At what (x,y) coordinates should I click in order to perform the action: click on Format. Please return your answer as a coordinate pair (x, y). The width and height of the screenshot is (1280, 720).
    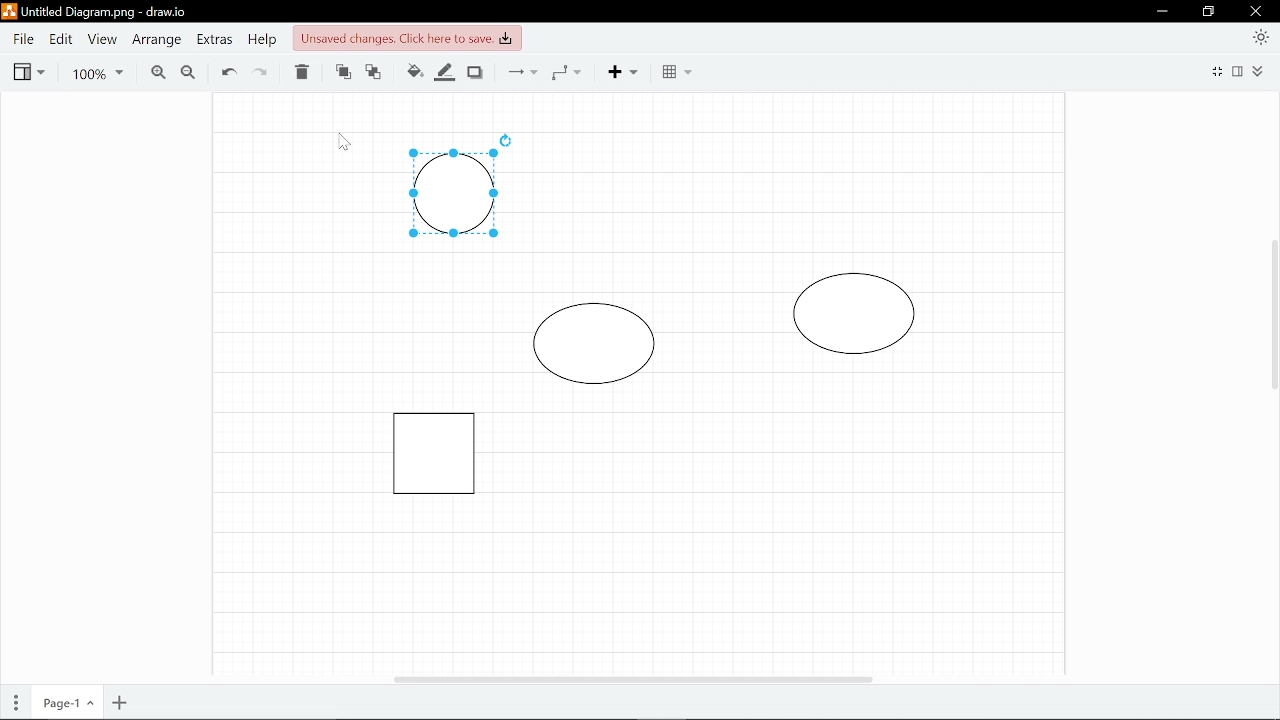
    Looking at the image, I should click on (1240, 71).